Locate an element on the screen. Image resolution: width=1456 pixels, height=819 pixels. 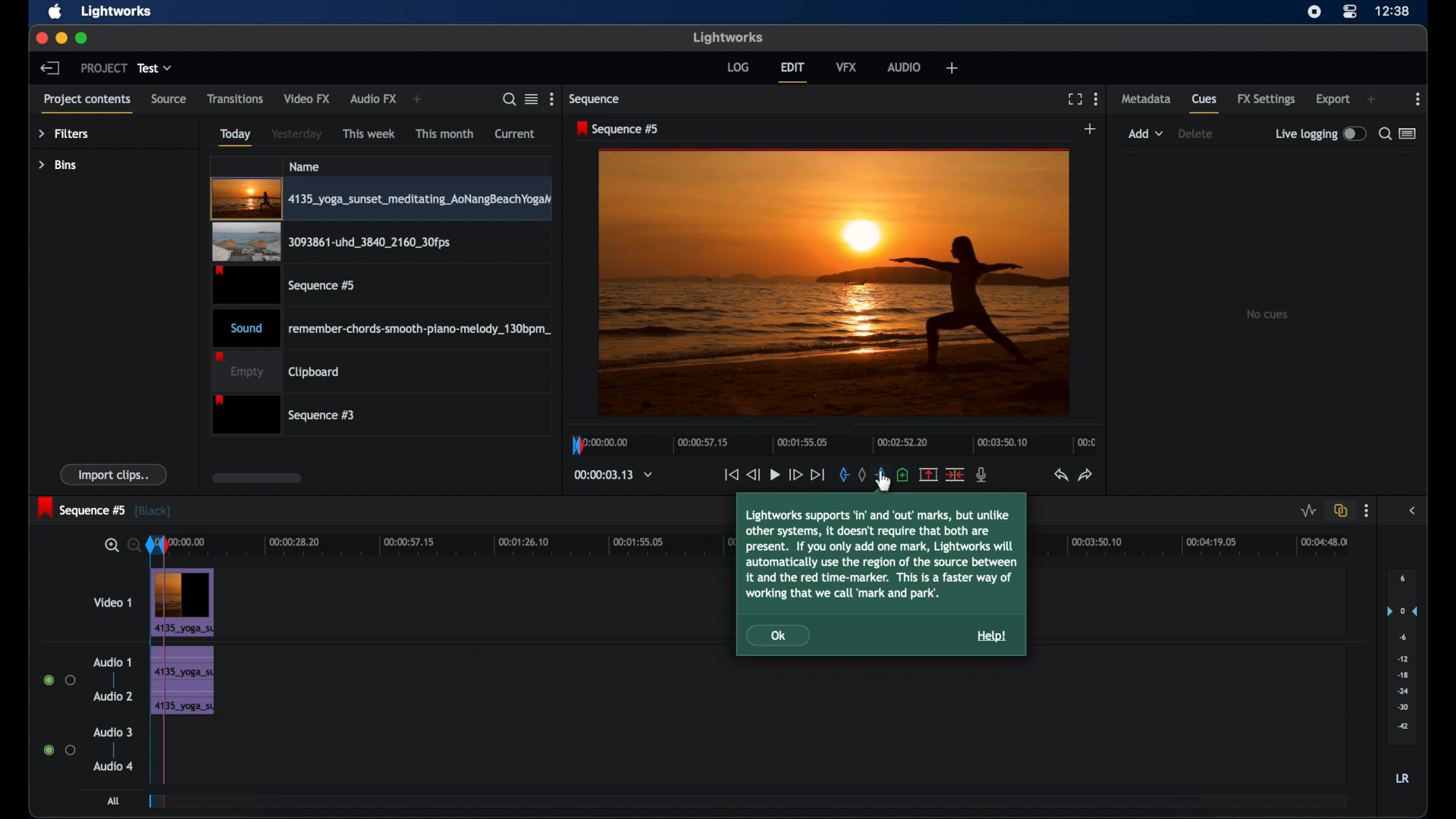
cursor is located at coordinates (883, 479).